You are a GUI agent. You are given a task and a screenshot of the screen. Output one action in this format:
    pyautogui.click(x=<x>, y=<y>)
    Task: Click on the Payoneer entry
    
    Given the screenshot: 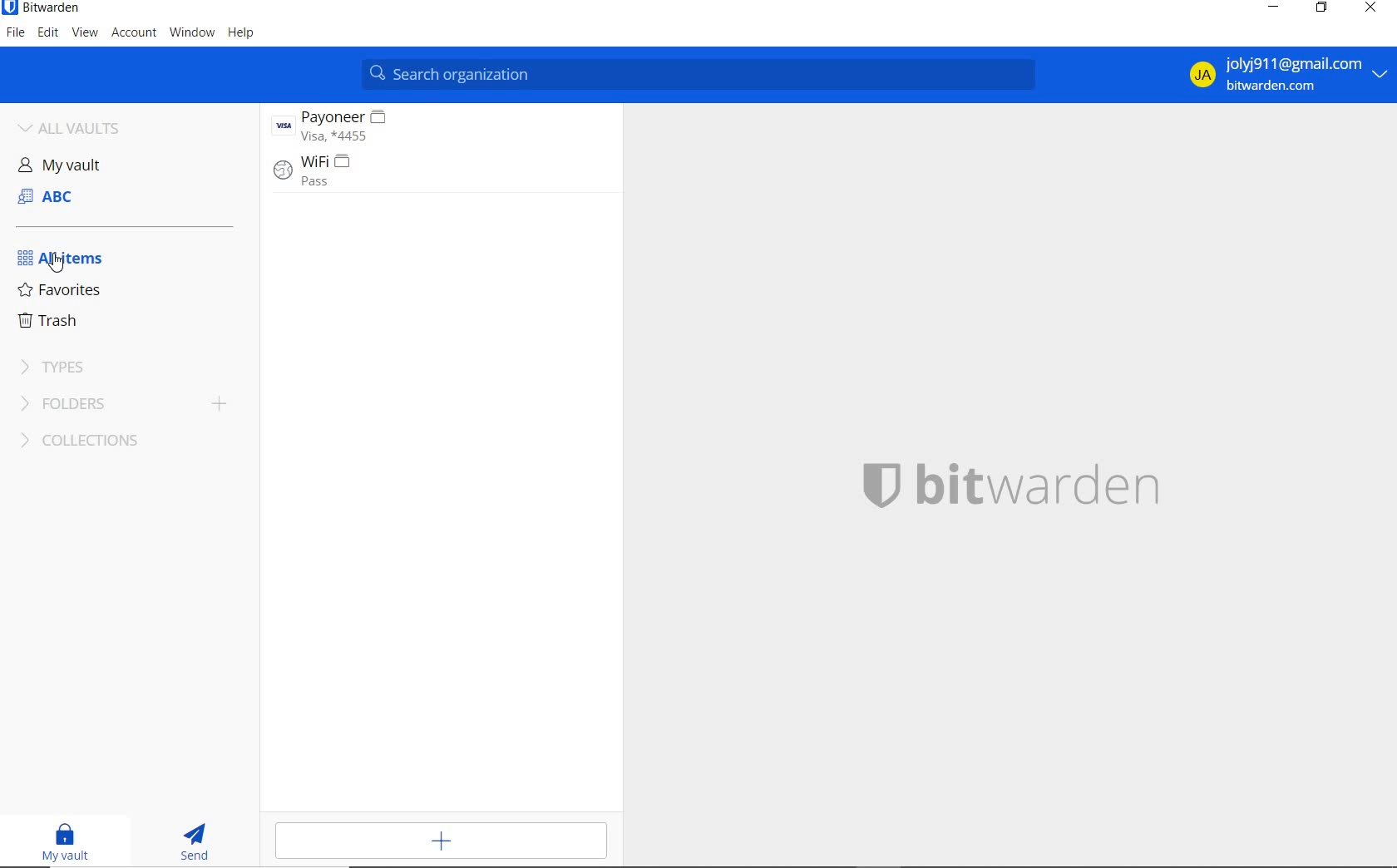 What is the action you would take?
    pyautogui.click(x=373, y=126)
    